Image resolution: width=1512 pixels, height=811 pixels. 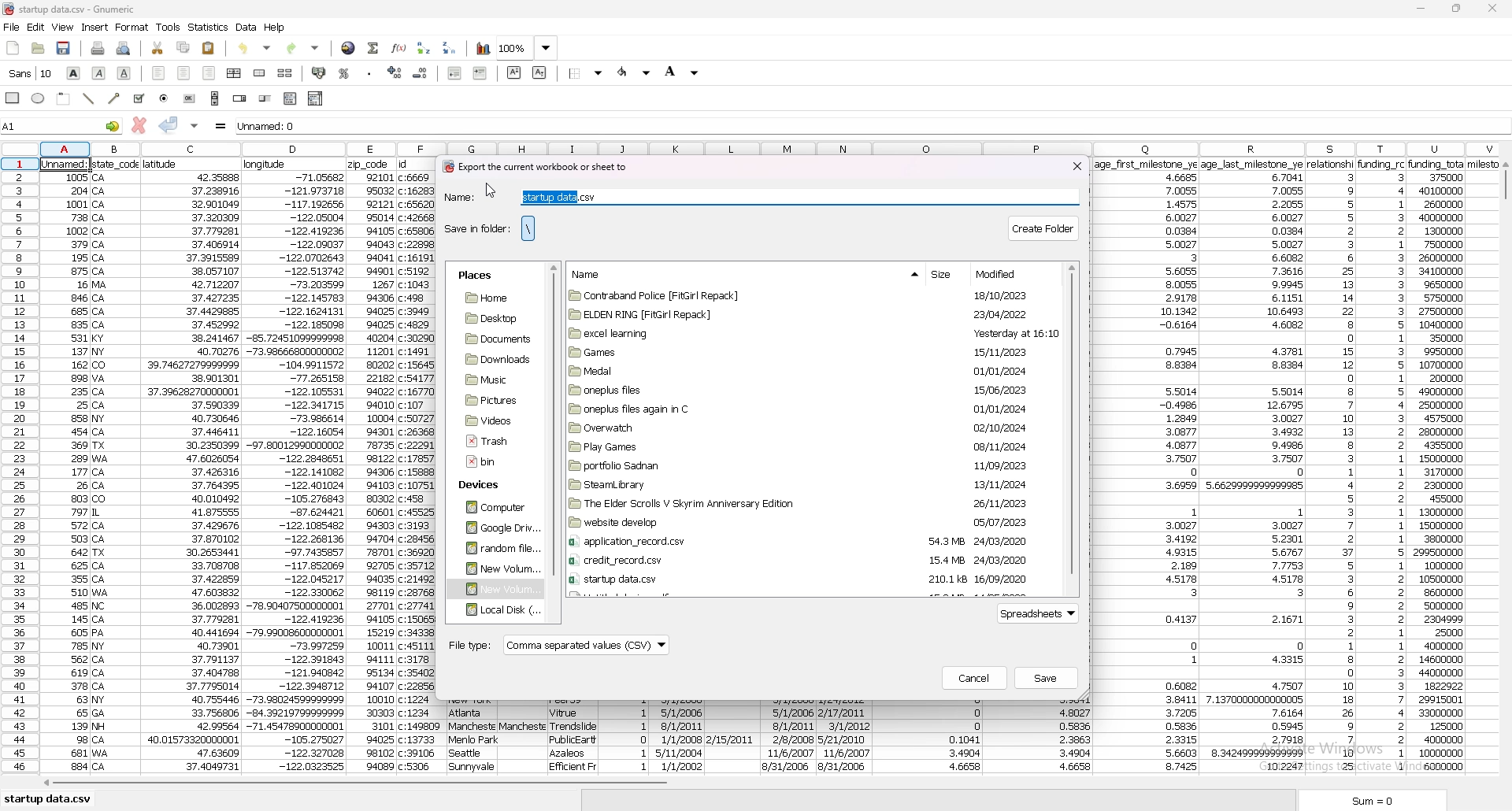 I want to click on folder, so click(x=811, y=428).